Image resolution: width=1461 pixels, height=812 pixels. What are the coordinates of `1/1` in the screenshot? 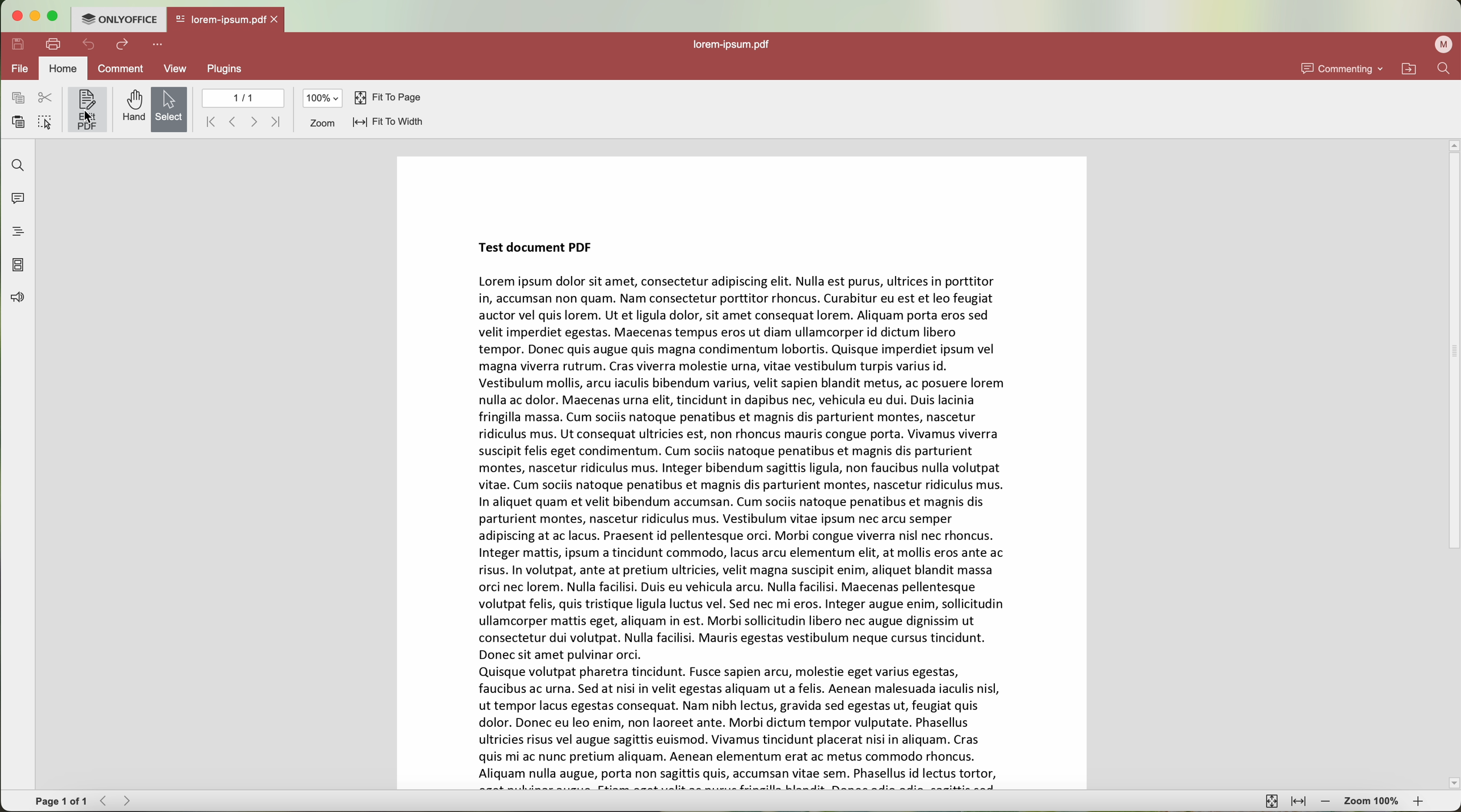 It's located at (244, 98).